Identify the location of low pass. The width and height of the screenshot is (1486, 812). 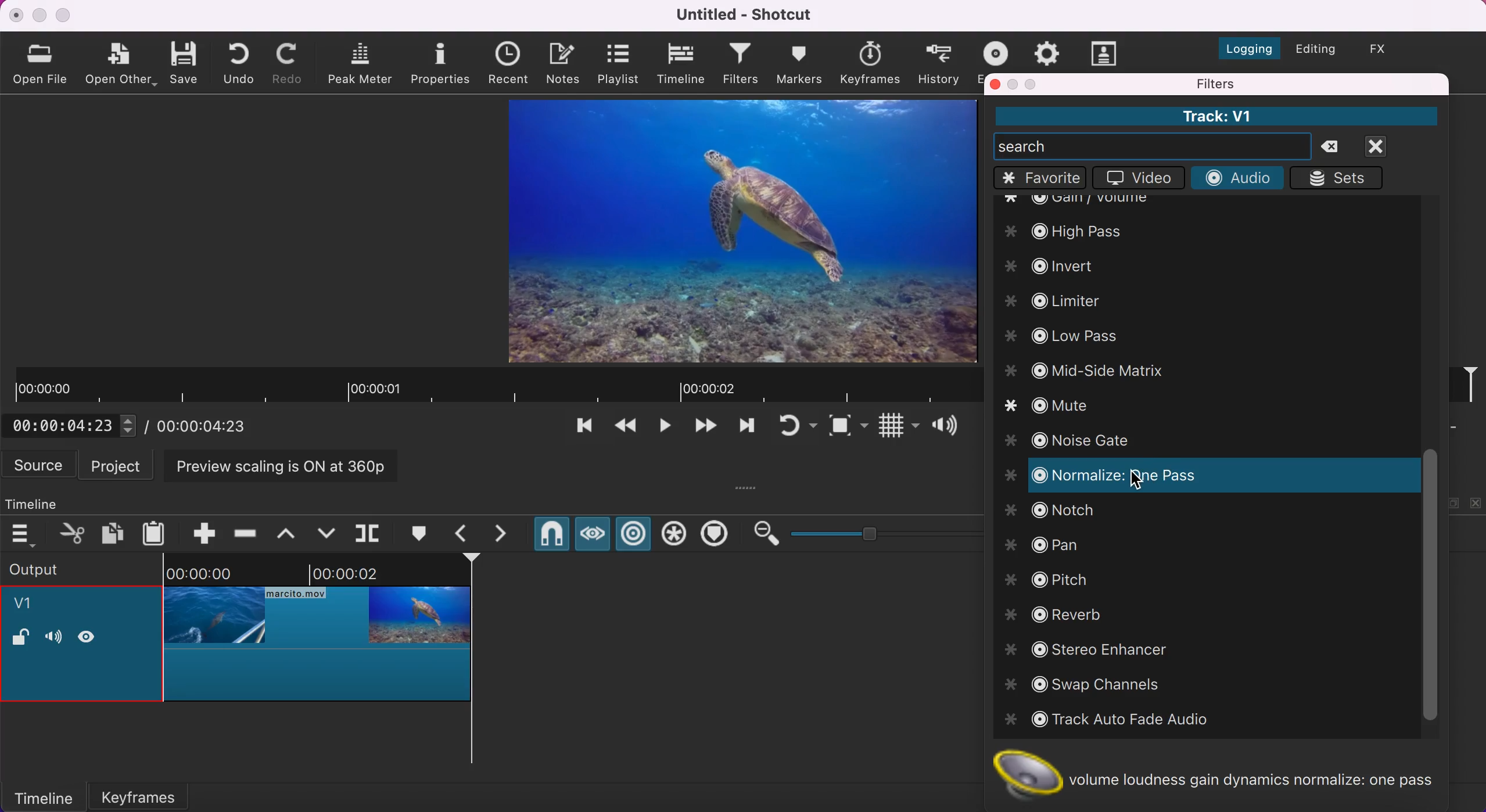
(1066, 336).